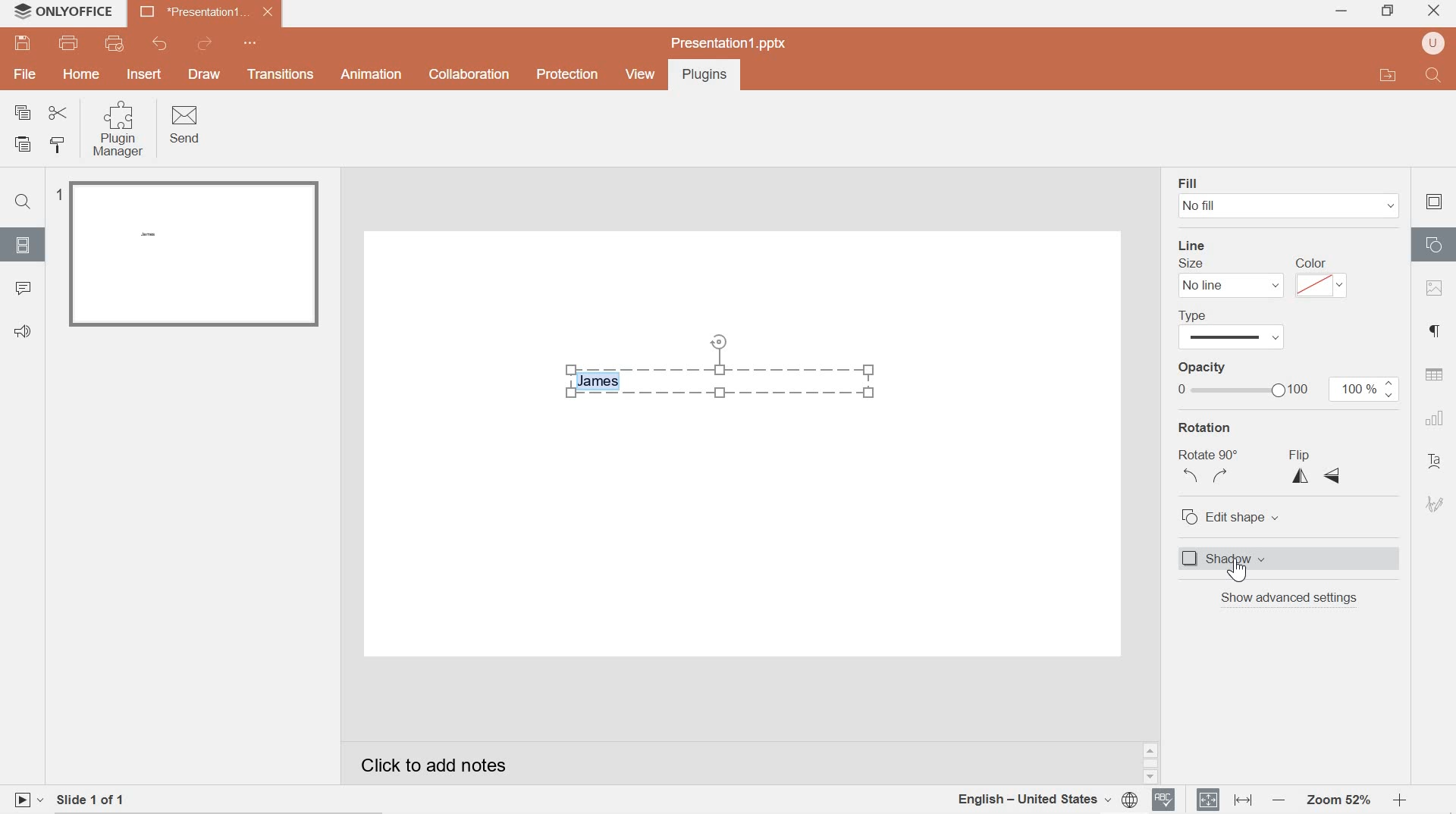 The height and width of the screenshot is (814, 1456). I want to click on quick access toolbar, so click(253, 43).